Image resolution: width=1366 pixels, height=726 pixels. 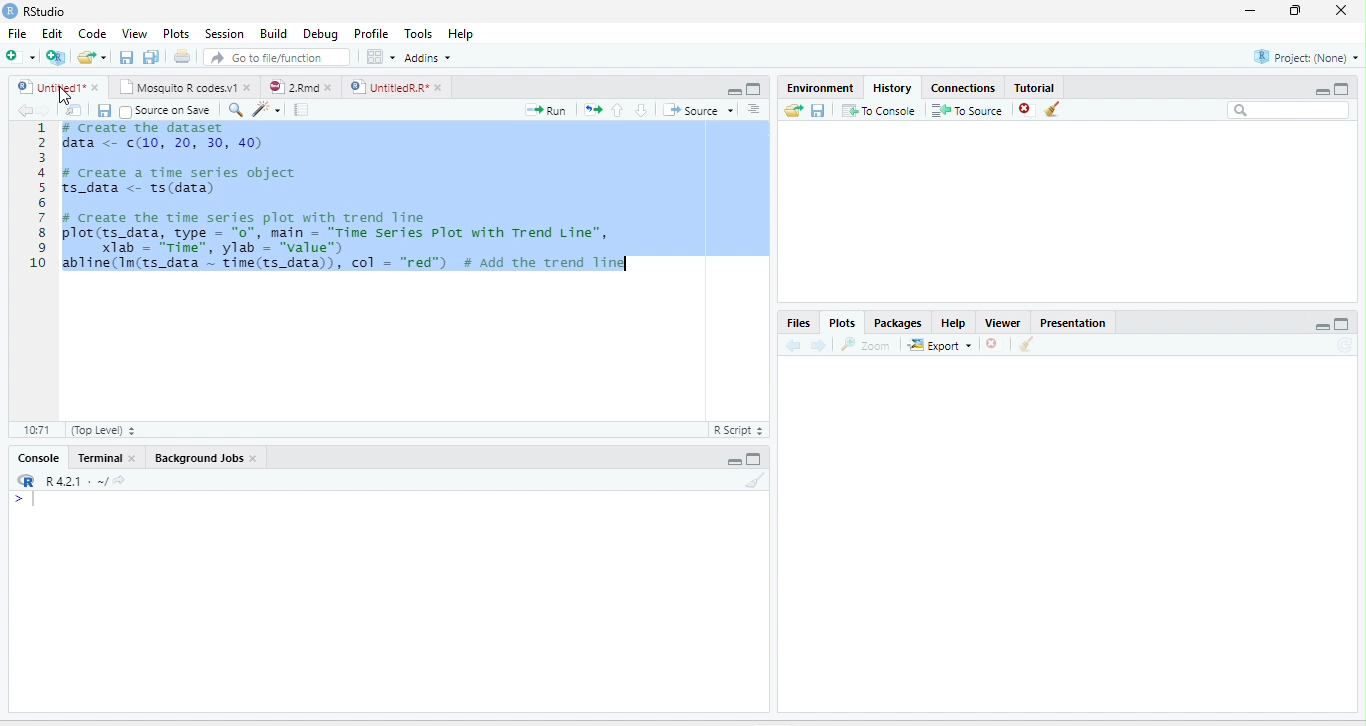 What do you see at coordinates (1003, 322) in the screenshot?
I see `Viewer` at bounding box center [1003, 322].